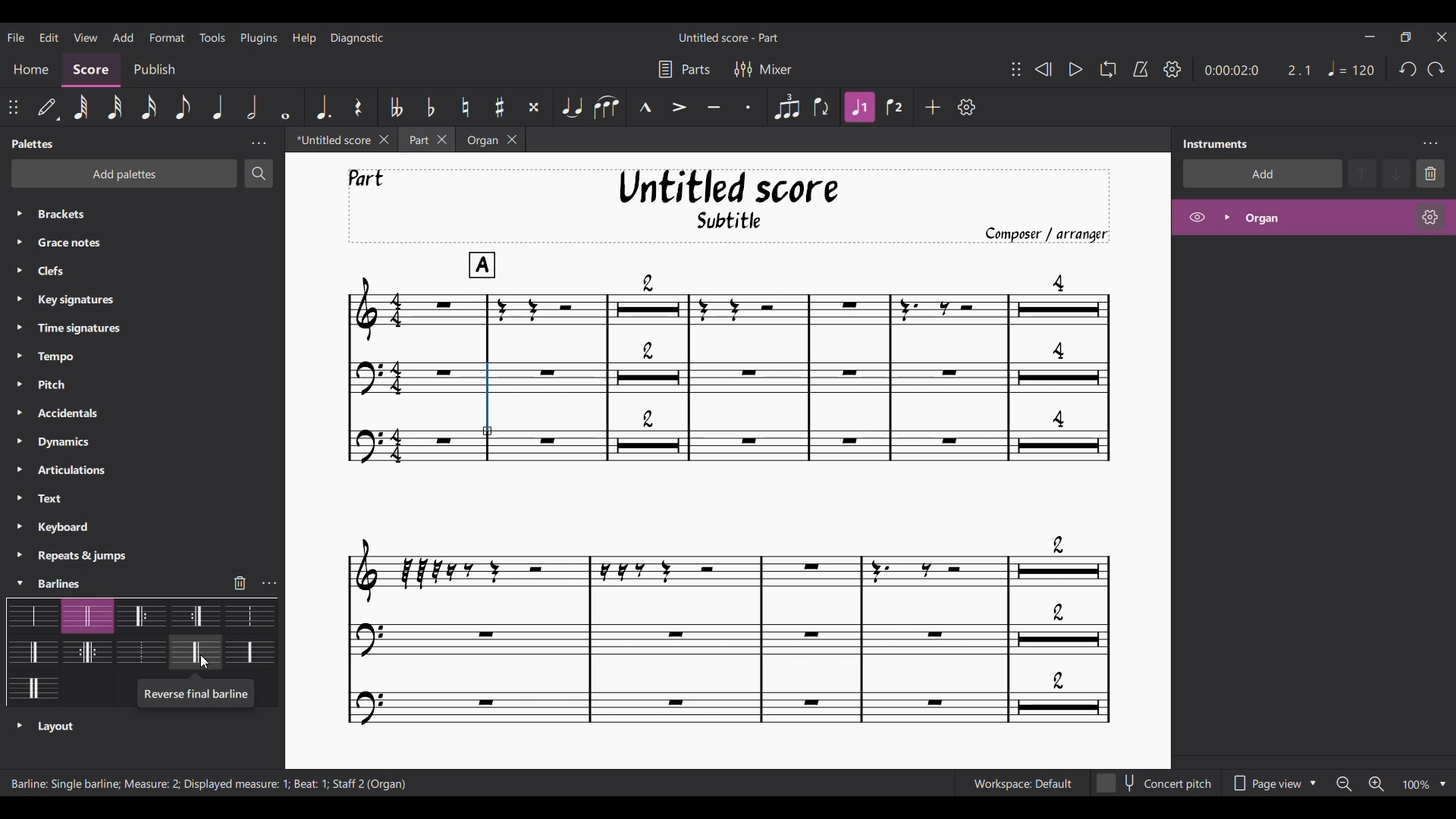 Image resolution: width=1456 pixels, height=819 pixels. What do you see at coordinates (358, 107) in the screenshot?
I see `Rest` at bounding box center [358, 107].